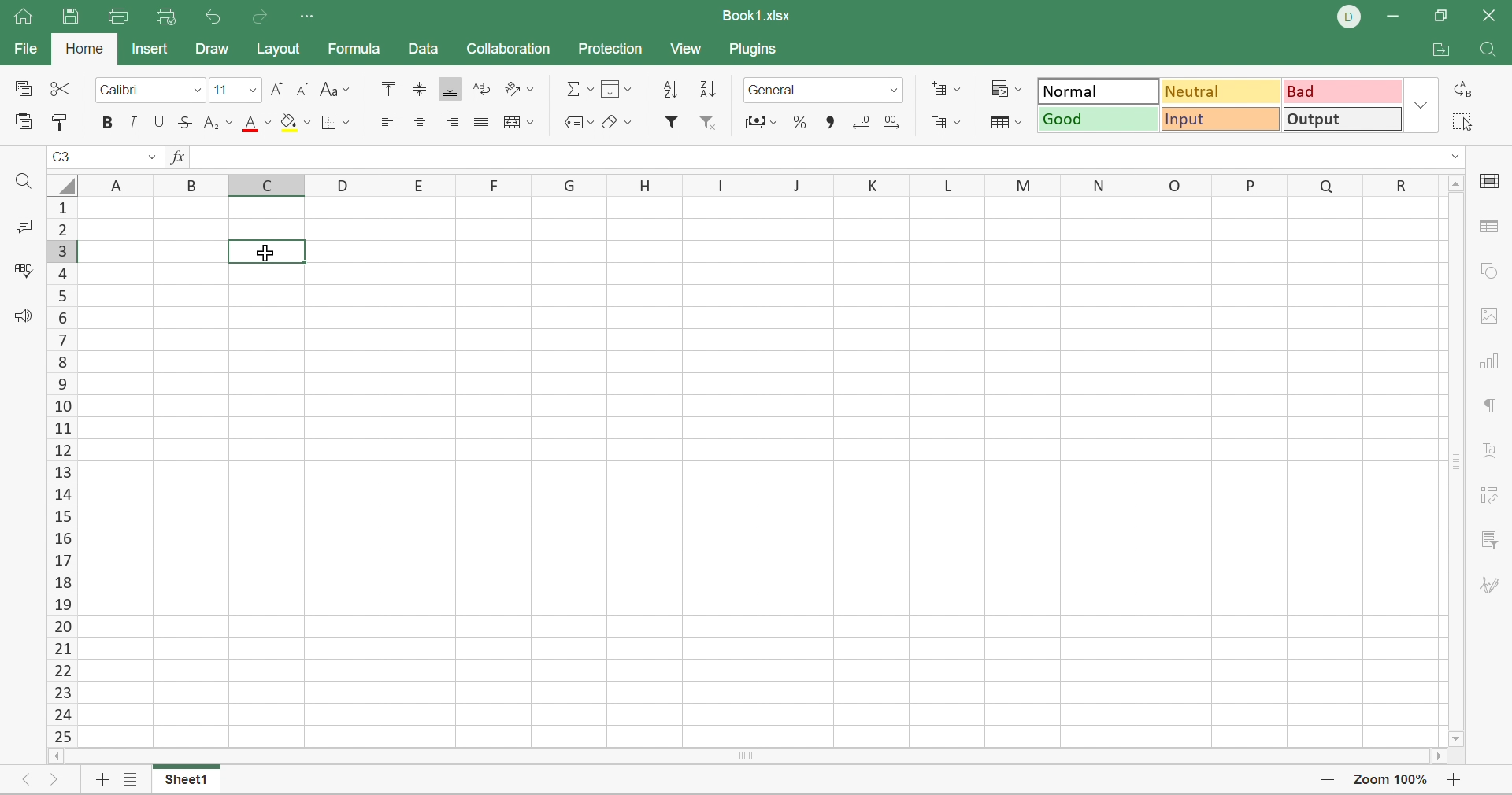 The height and width of the screenshot is (795, 1512). Describe the element at coordinates (615, 123) in the screenshot. I see `Clear` at that location.